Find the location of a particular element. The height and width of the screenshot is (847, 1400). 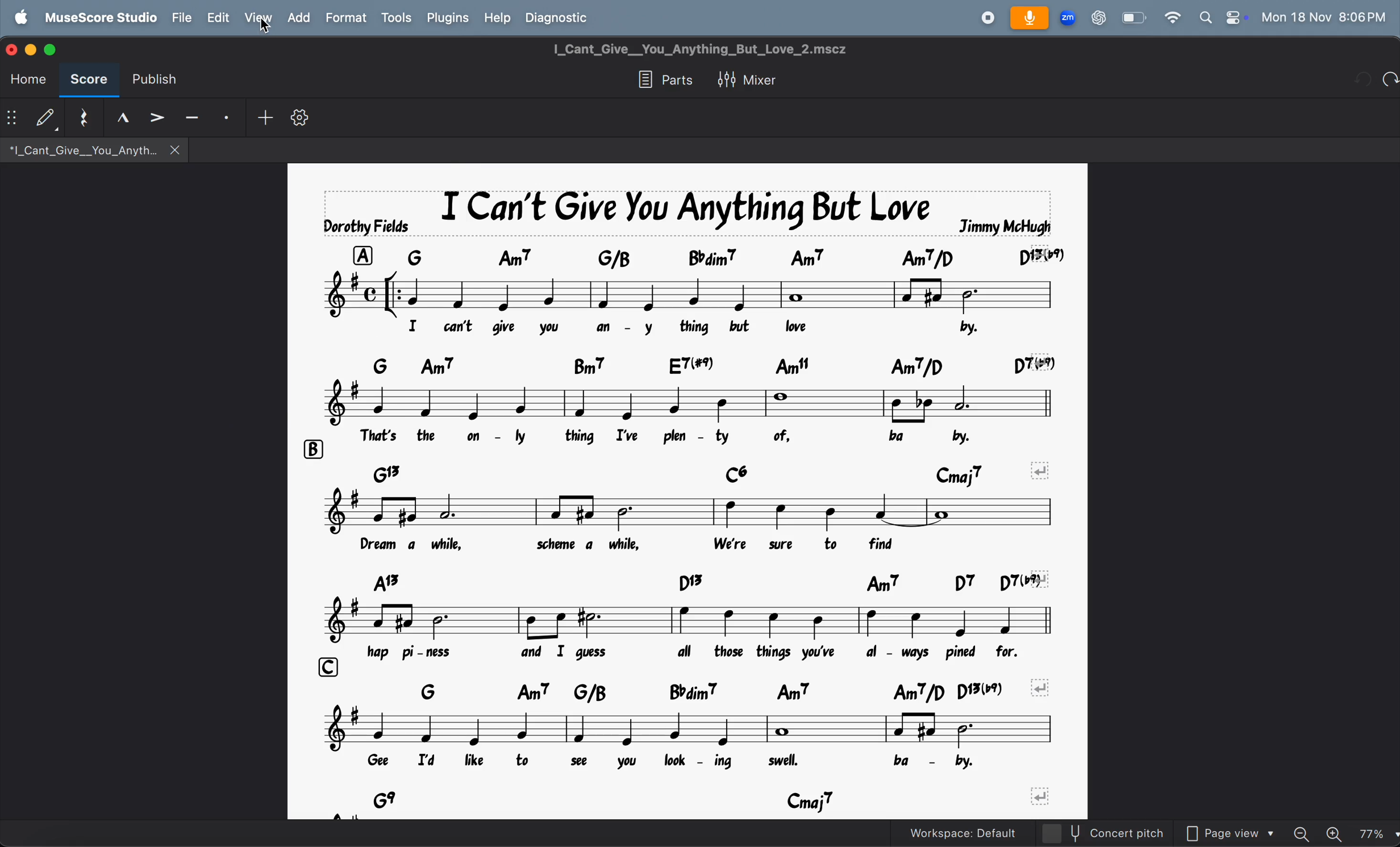

reset is located at coordinates (79, 118).